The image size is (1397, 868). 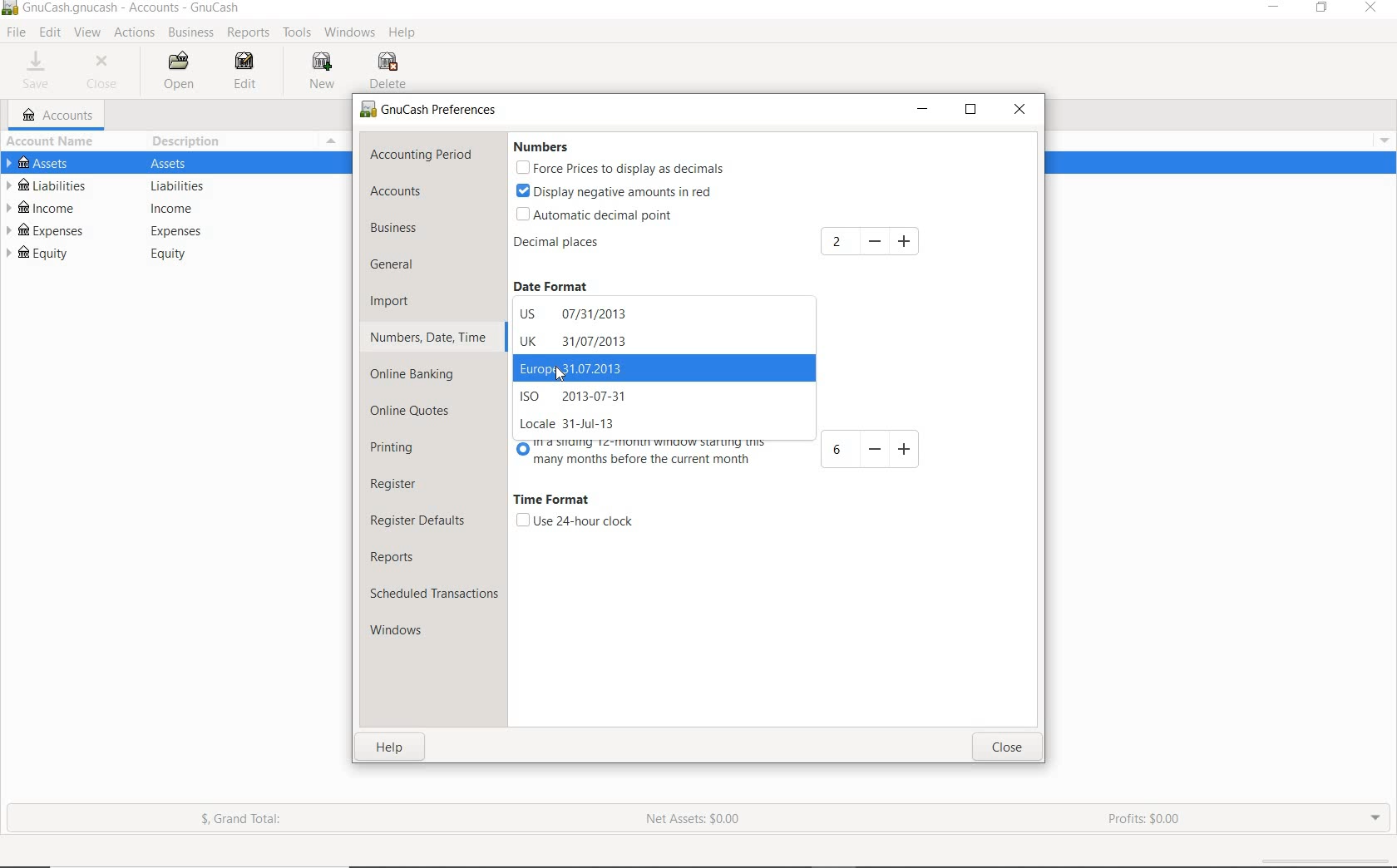 I want to click on add decimal points, so click(x=873, y=241).